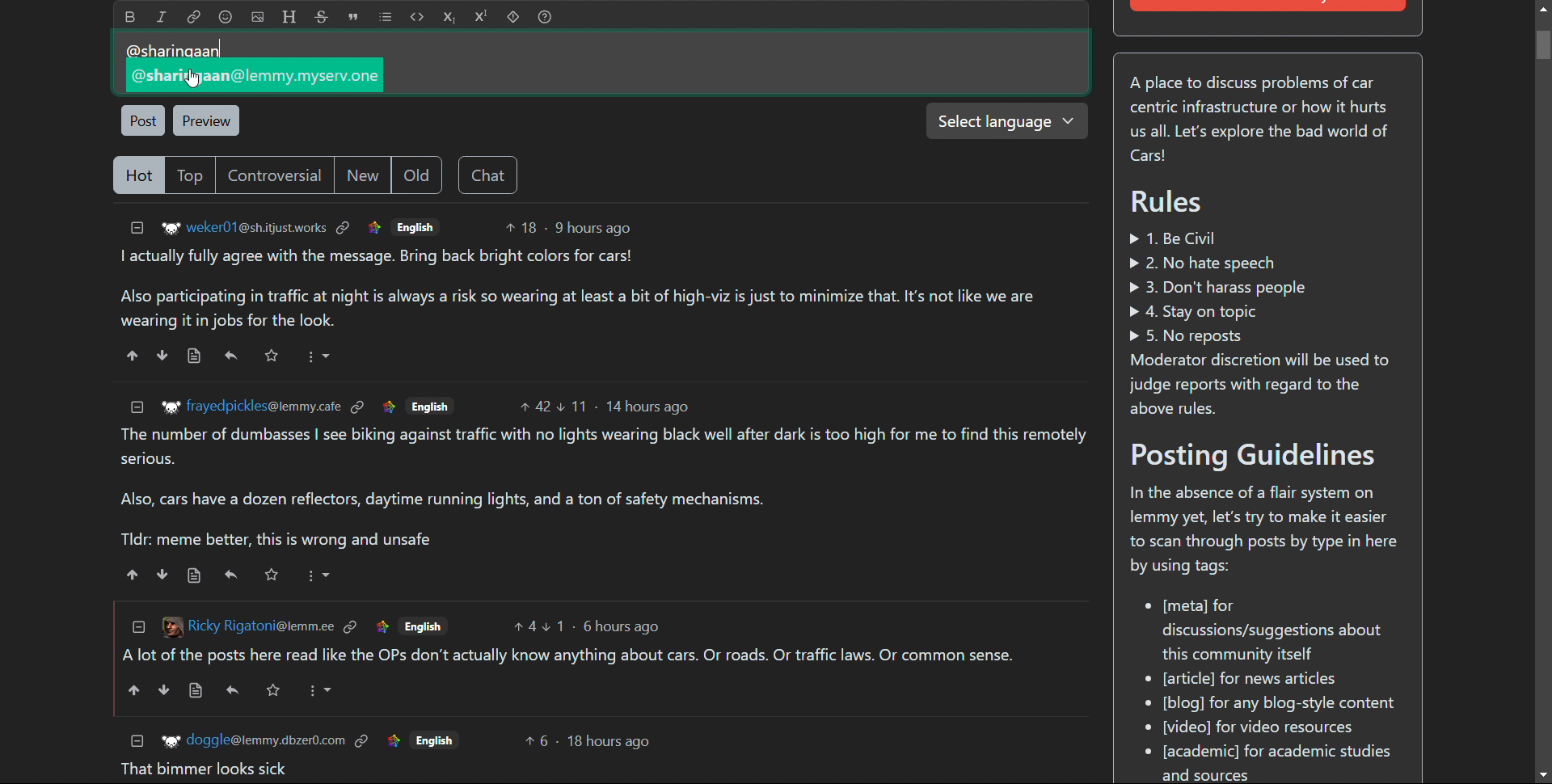 Image resolution: width=1552 pixels, height=784 pixels. I want to click on type here to comment, so click(601, 63).